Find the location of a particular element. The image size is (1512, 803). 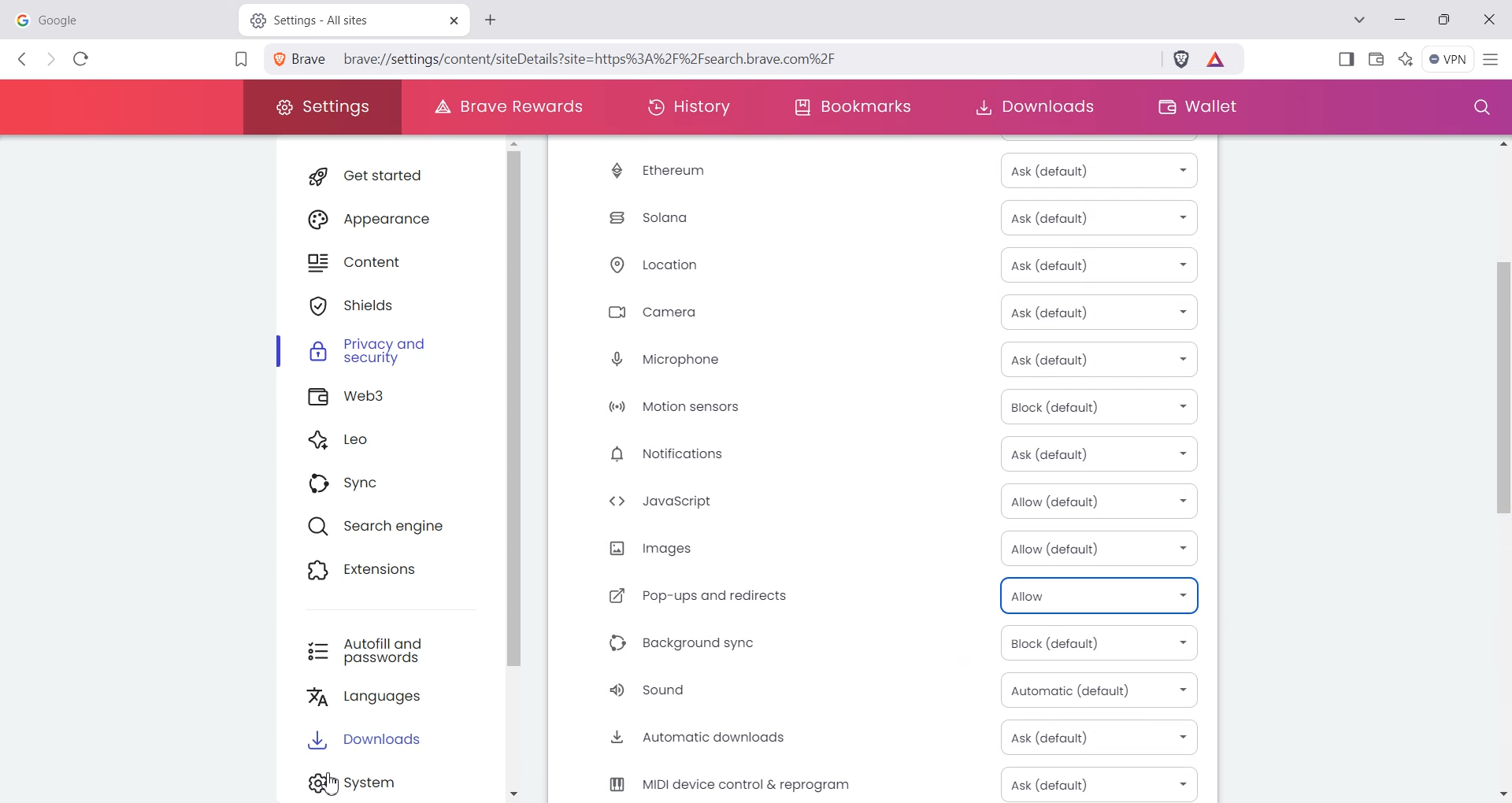

Settings is located at coordinates (321, 107).